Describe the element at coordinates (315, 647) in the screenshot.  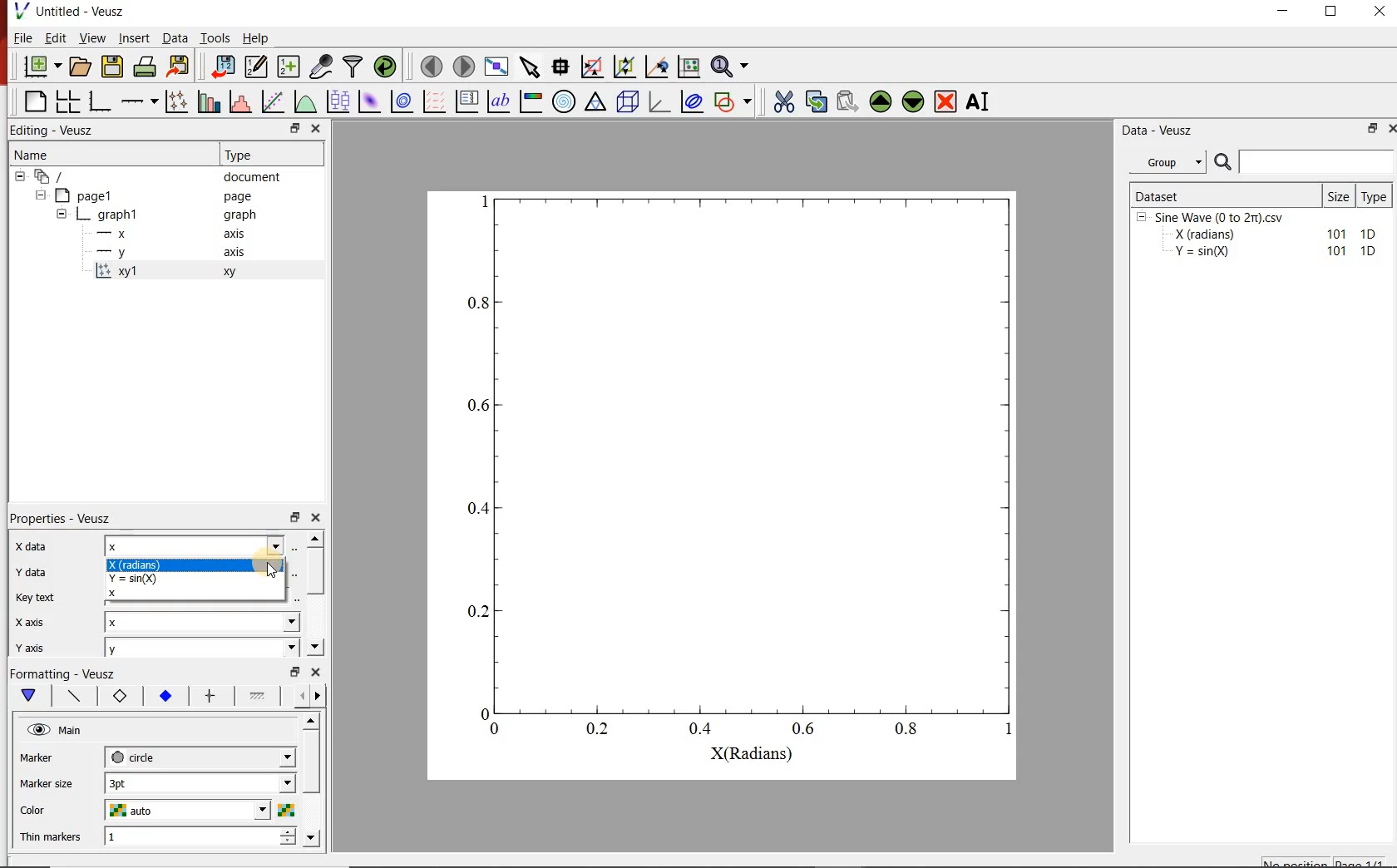
I see `Down` at that location.